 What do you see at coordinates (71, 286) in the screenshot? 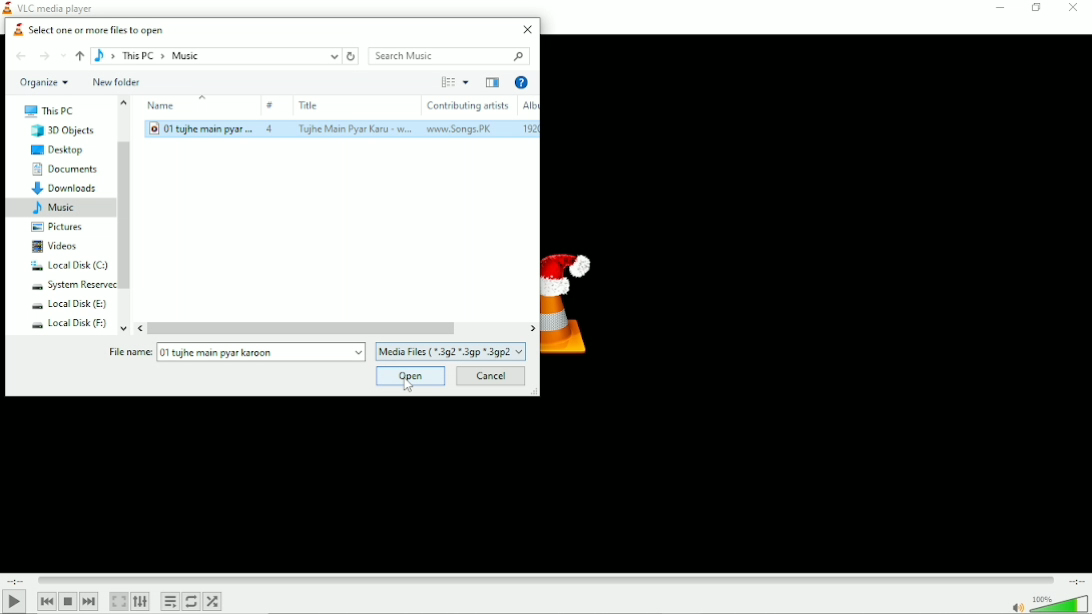
I see `system reserved` at bounding box center [71, 286].